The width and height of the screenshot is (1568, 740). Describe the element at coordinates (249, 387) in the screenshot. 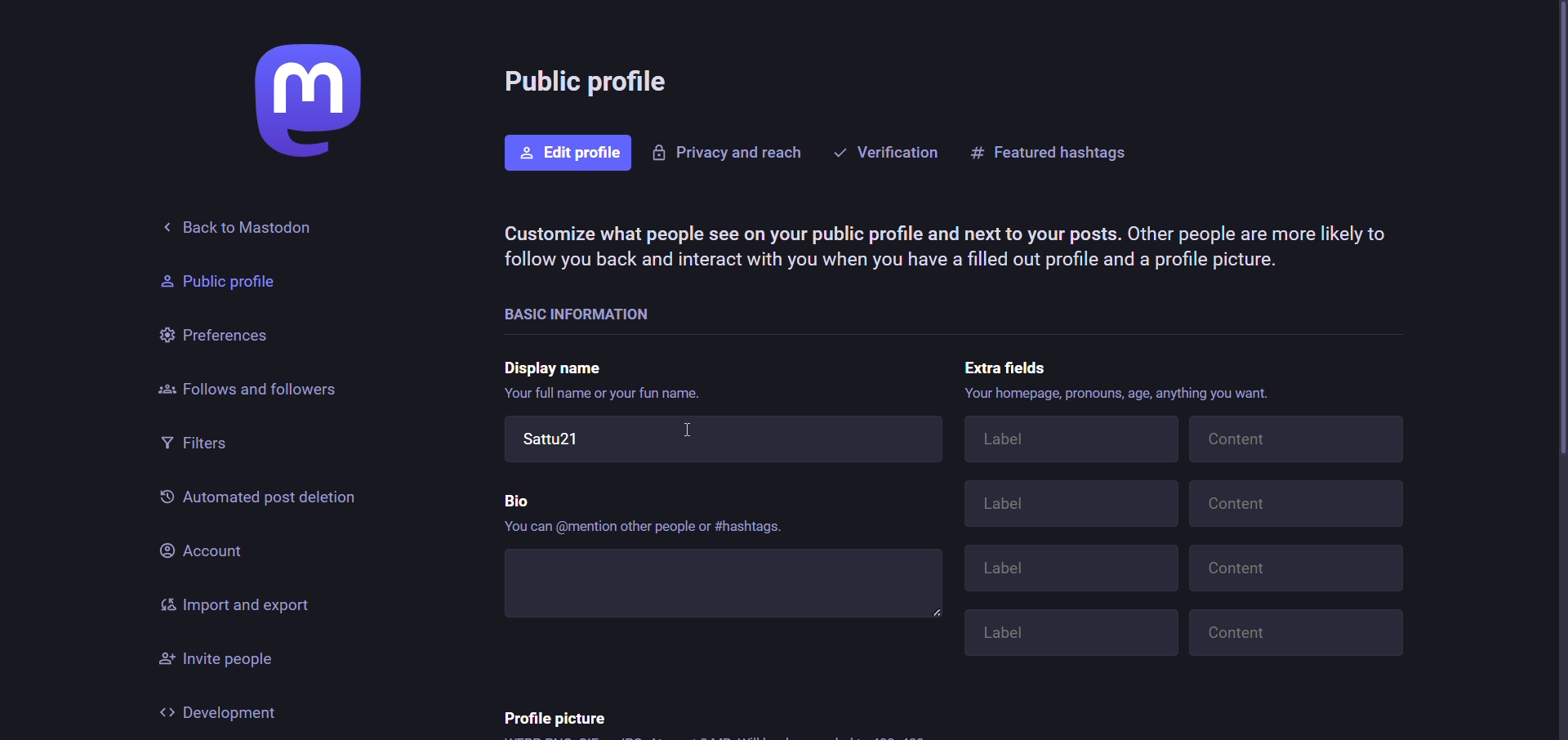

I see `followers and follows` at that location.